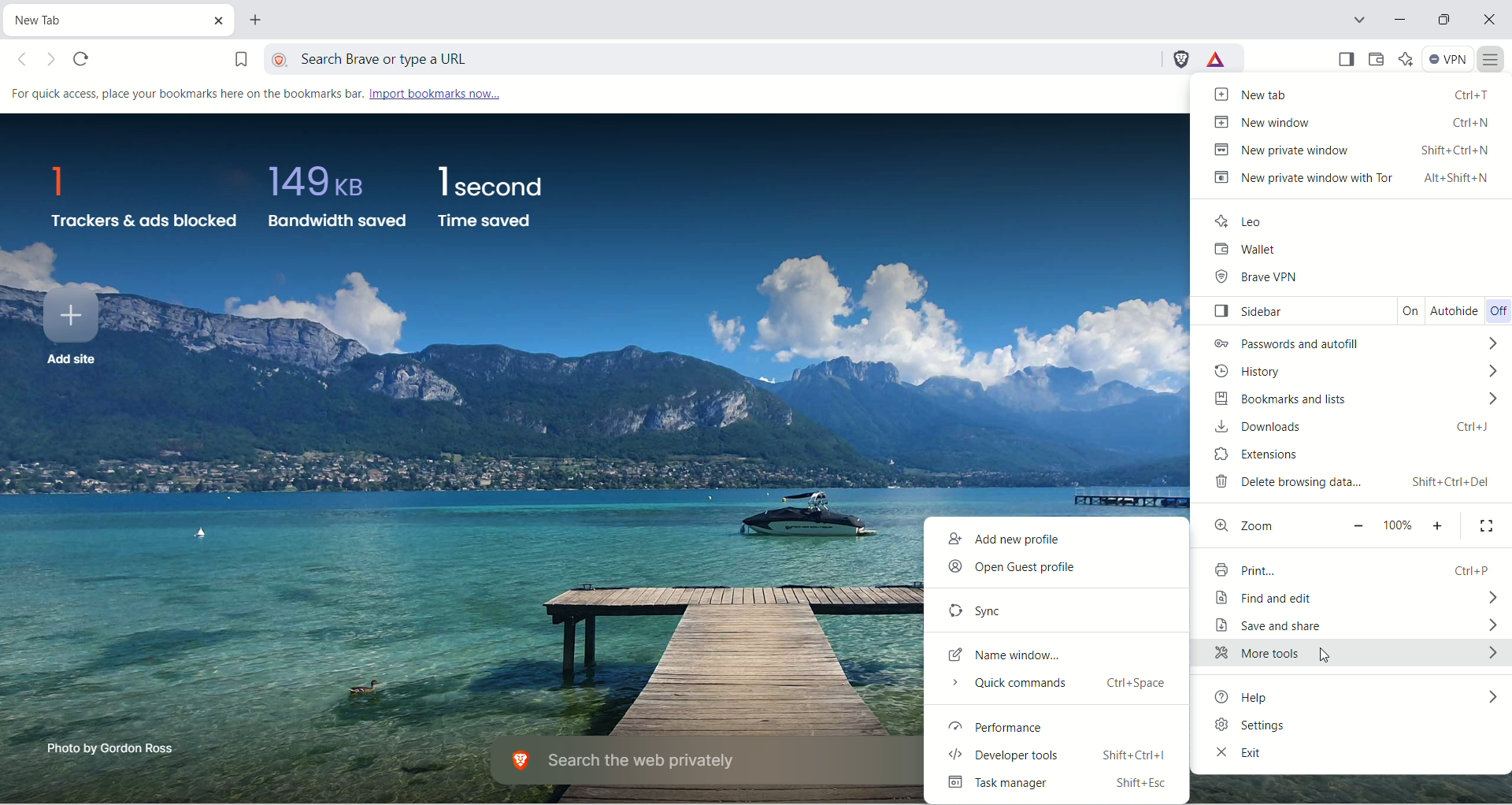 Image resolution: width=1512 pixels, height=805 pixels. What do you see at coordinates (84, 59) in the screenshot?
I see `reload` at bounding box center [84, 59].